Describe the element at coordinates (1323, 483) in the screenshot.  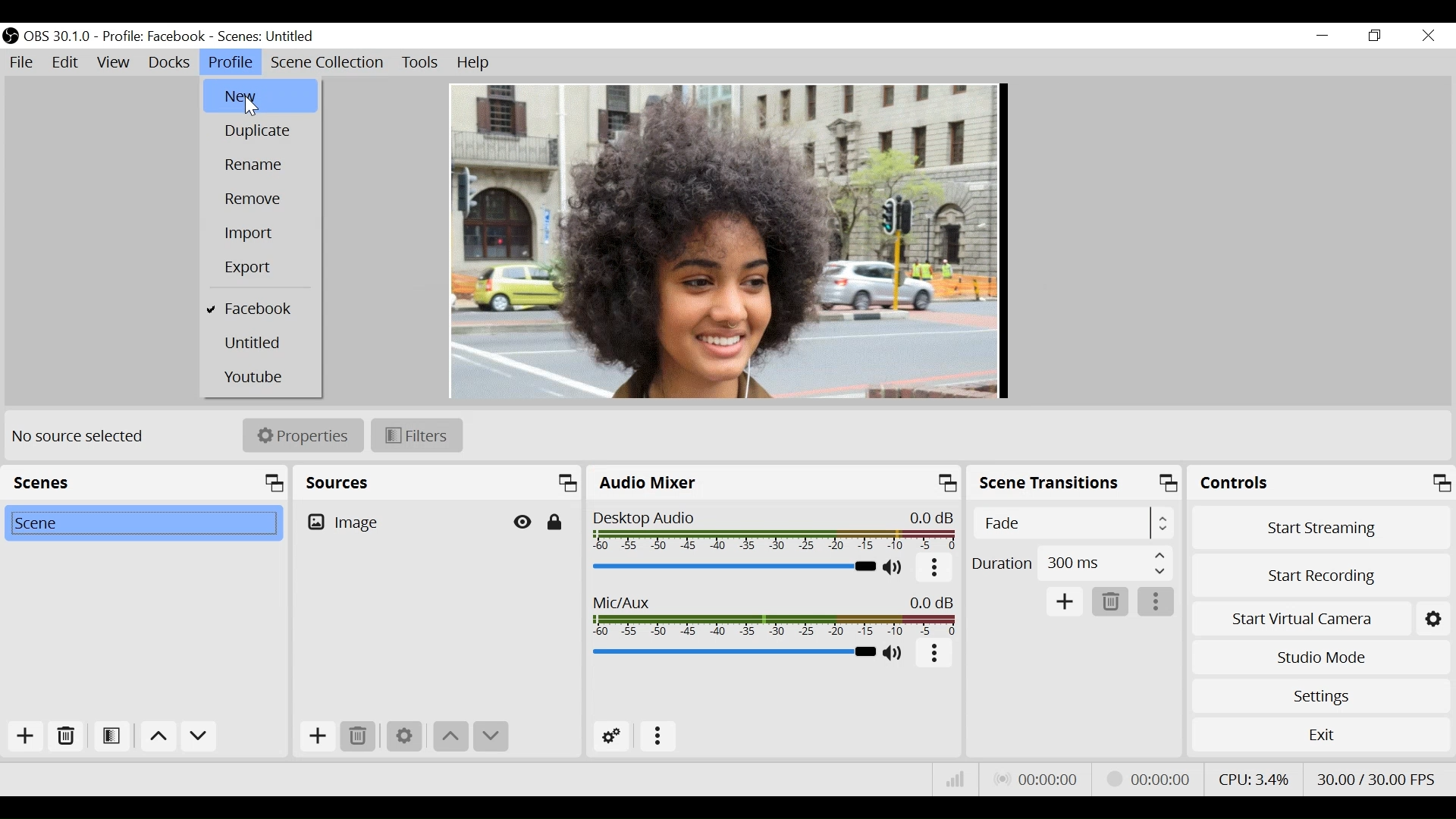
I see `Controls Panel` at that location.